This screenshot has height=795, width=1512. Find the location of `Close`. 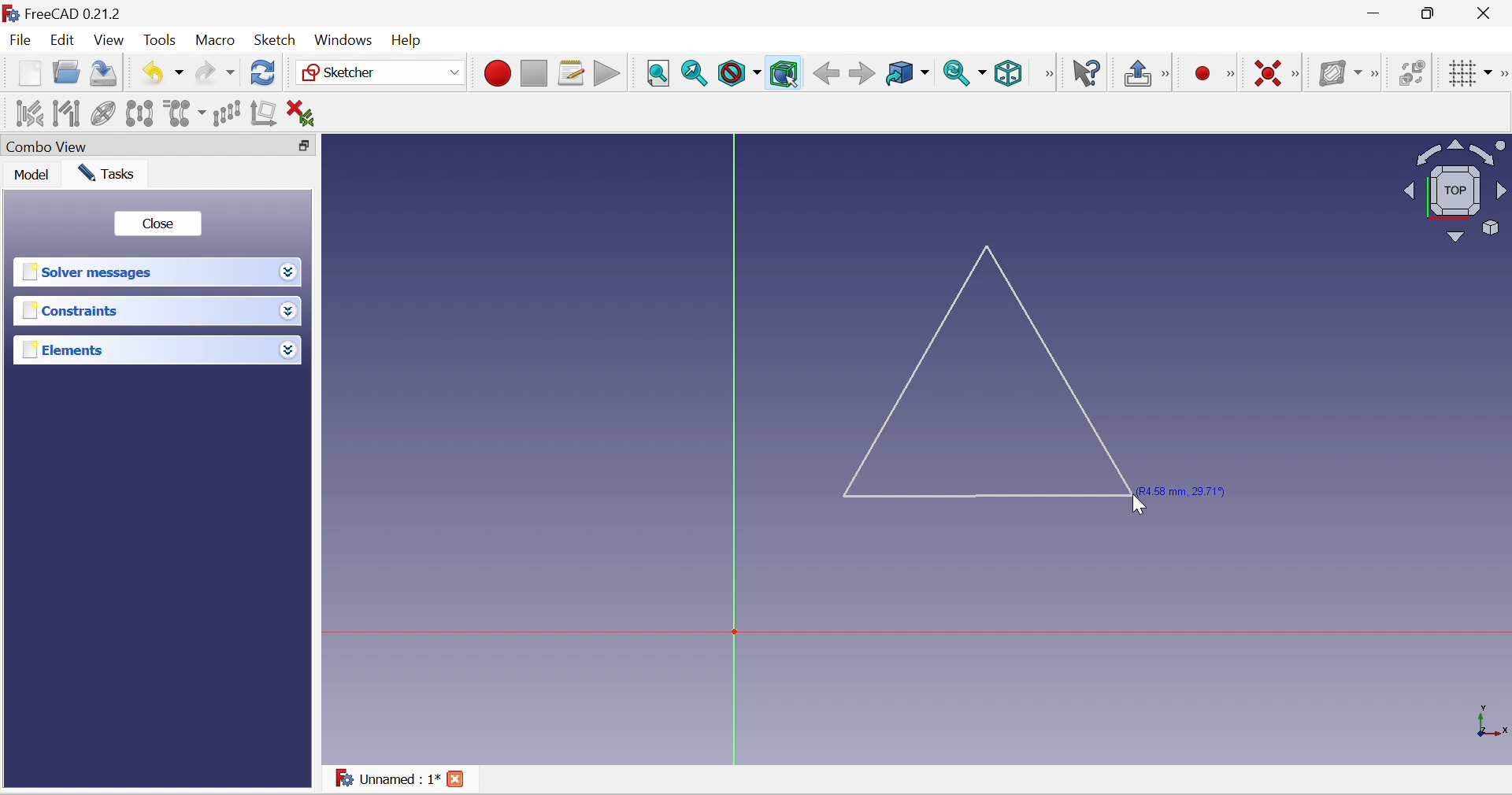

Close is located at coordinates (160, 224).